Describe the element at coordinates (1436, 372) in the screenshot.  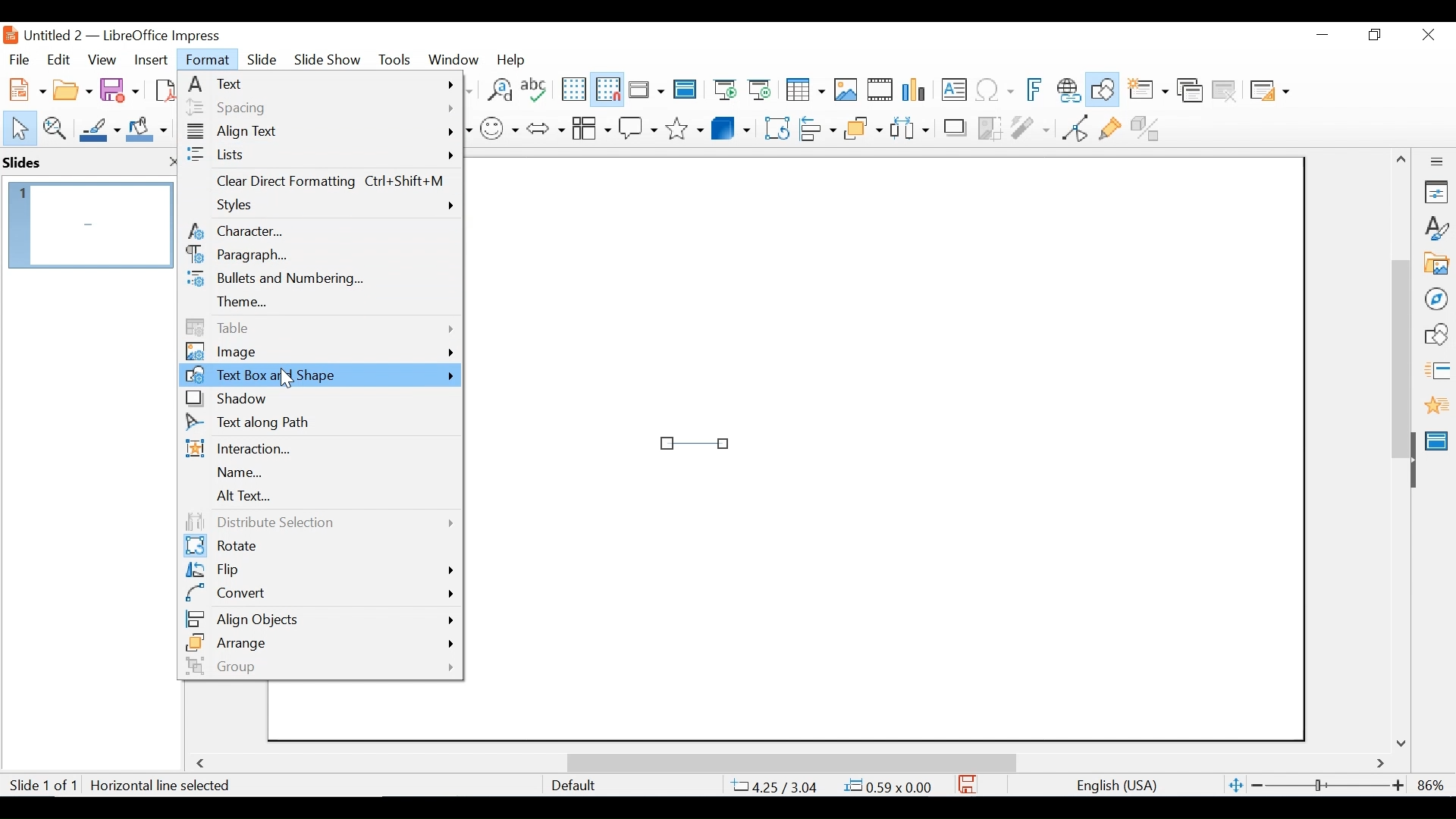
I see `Slide Transition` at that location.